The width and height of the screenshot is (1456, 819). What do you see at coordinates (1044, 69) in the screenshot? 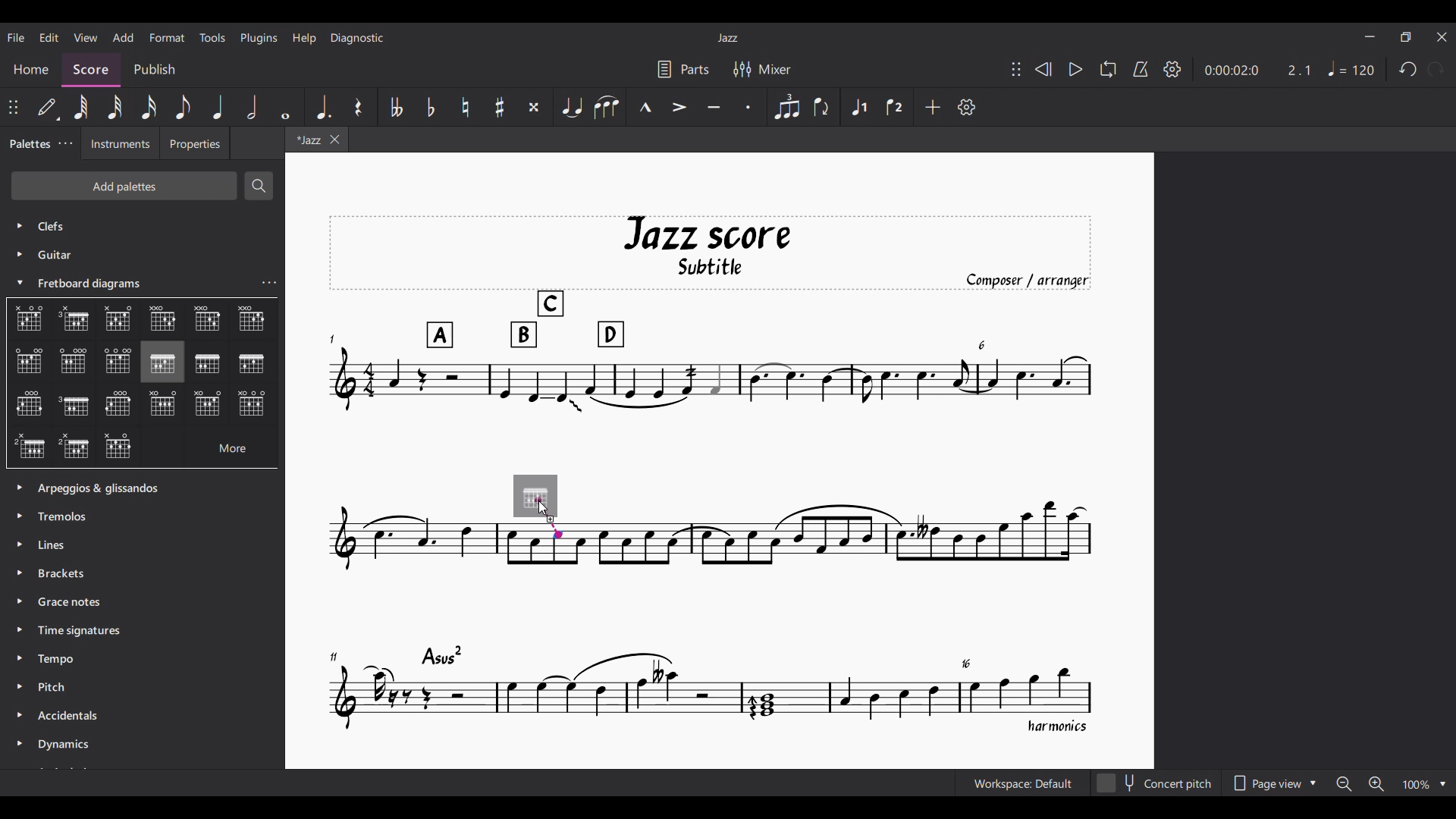
I see `Rewind` at bounding box center [1044, 69].